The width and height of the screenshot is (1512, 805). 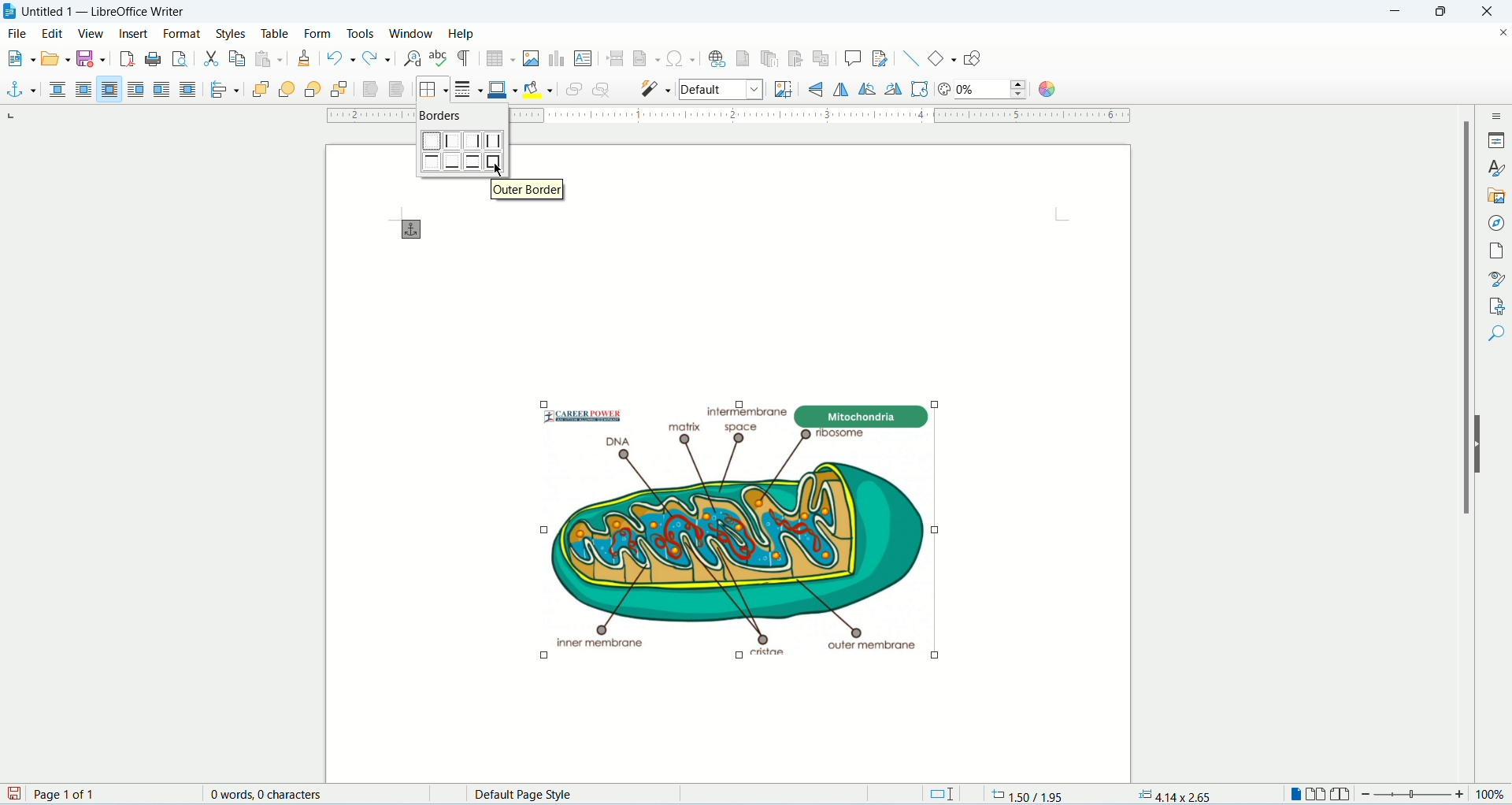 What do you see at coordinates (921, 90) in the screenshot?
I see `rotate` at bounding box center [921, 90].